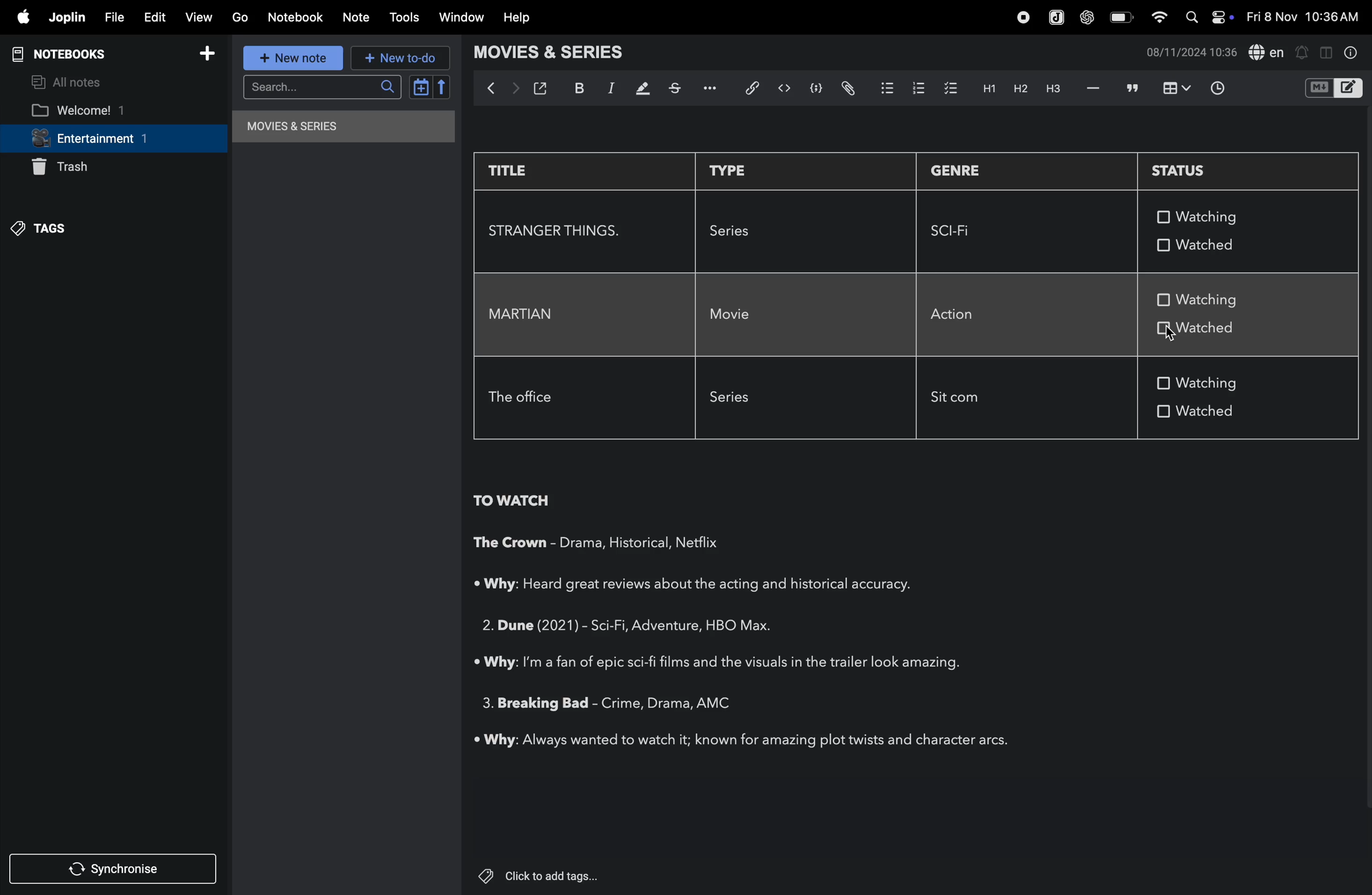  Describe the element at coordinates (156, 18) in the screenshot. I see `edit` at that location.